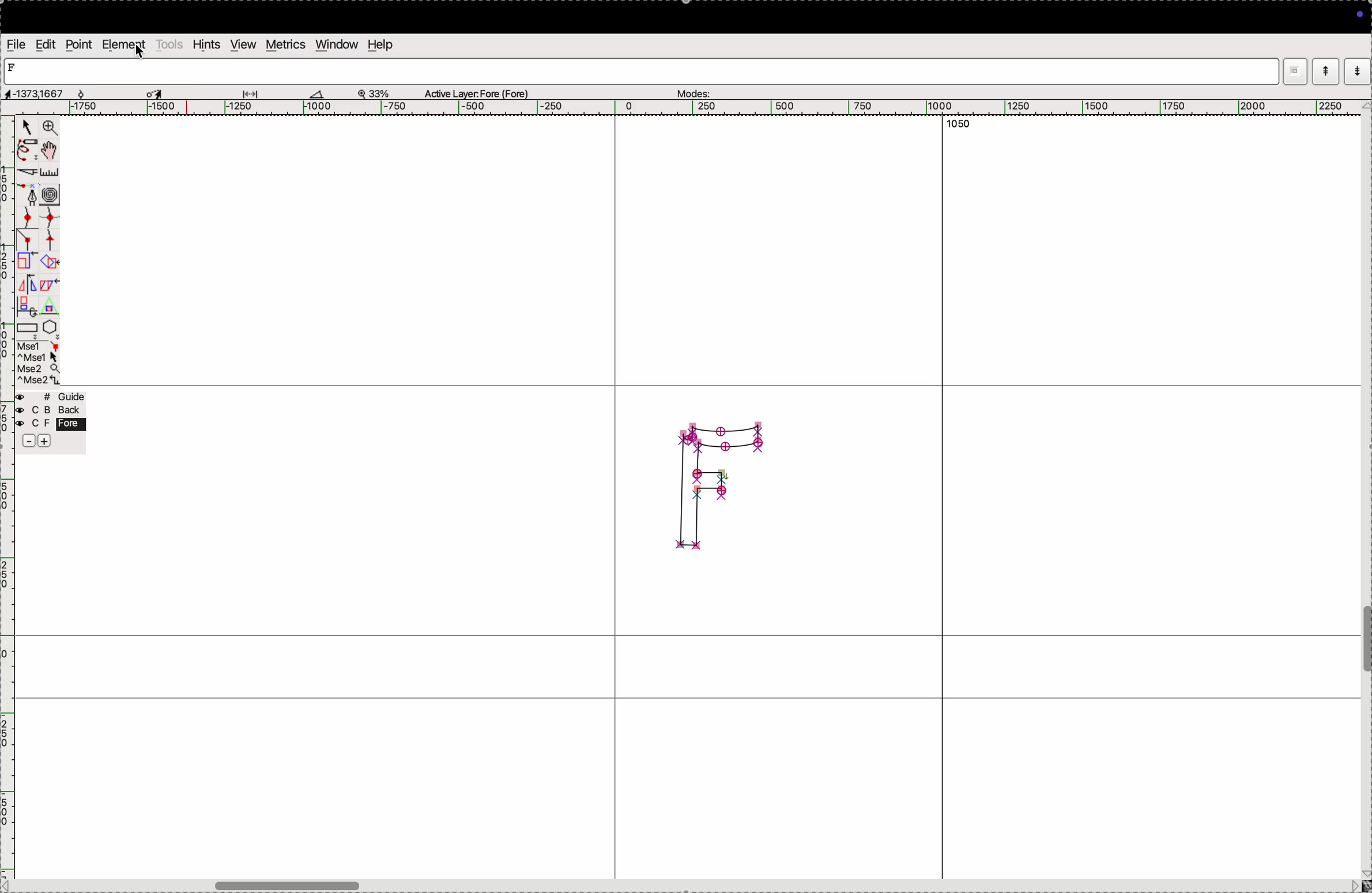 The height and width of the screenshot is (893, 1372). I want to click on pen, so click(25, 152).